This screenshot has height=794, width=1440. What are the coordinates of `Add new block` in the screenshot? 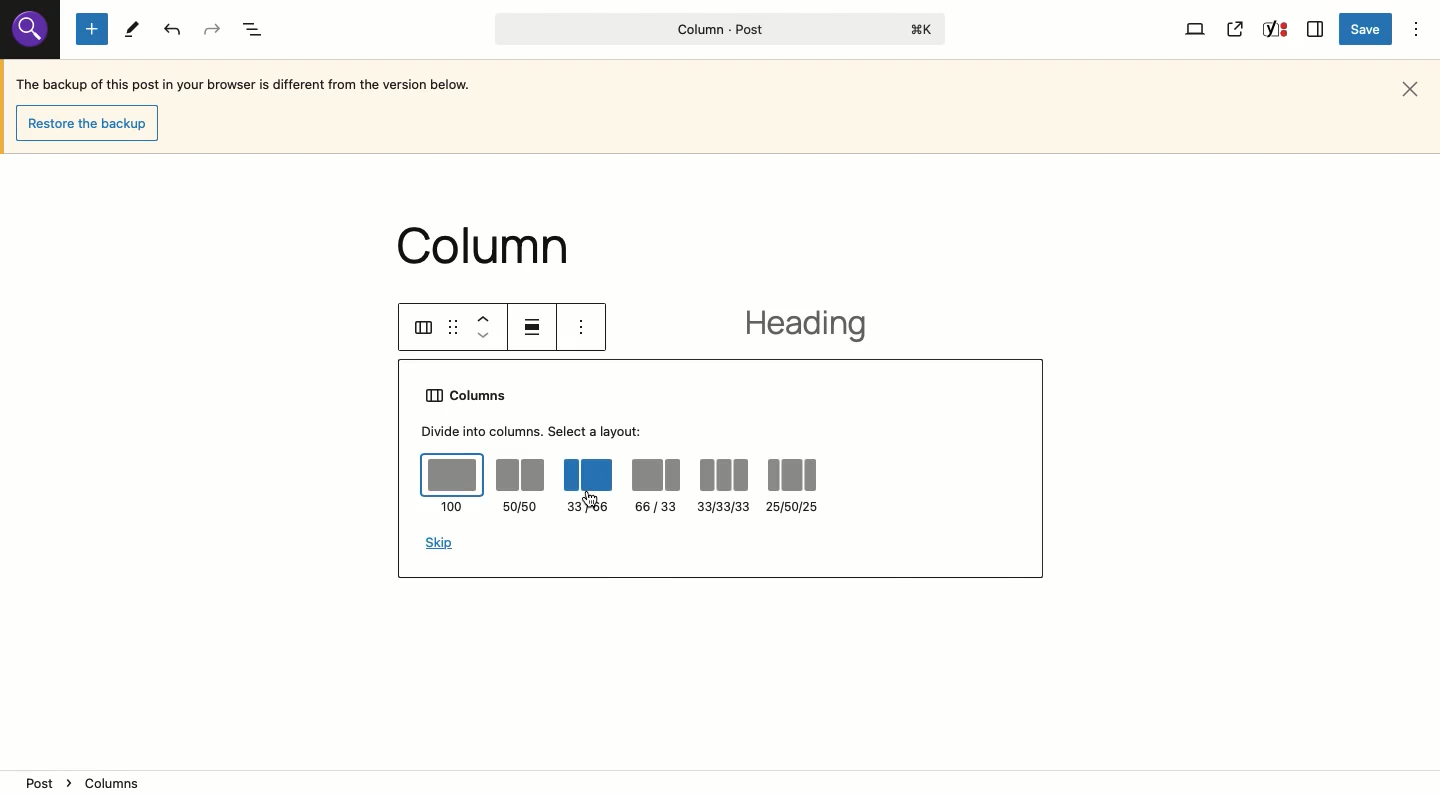 It's located at (92, 30).